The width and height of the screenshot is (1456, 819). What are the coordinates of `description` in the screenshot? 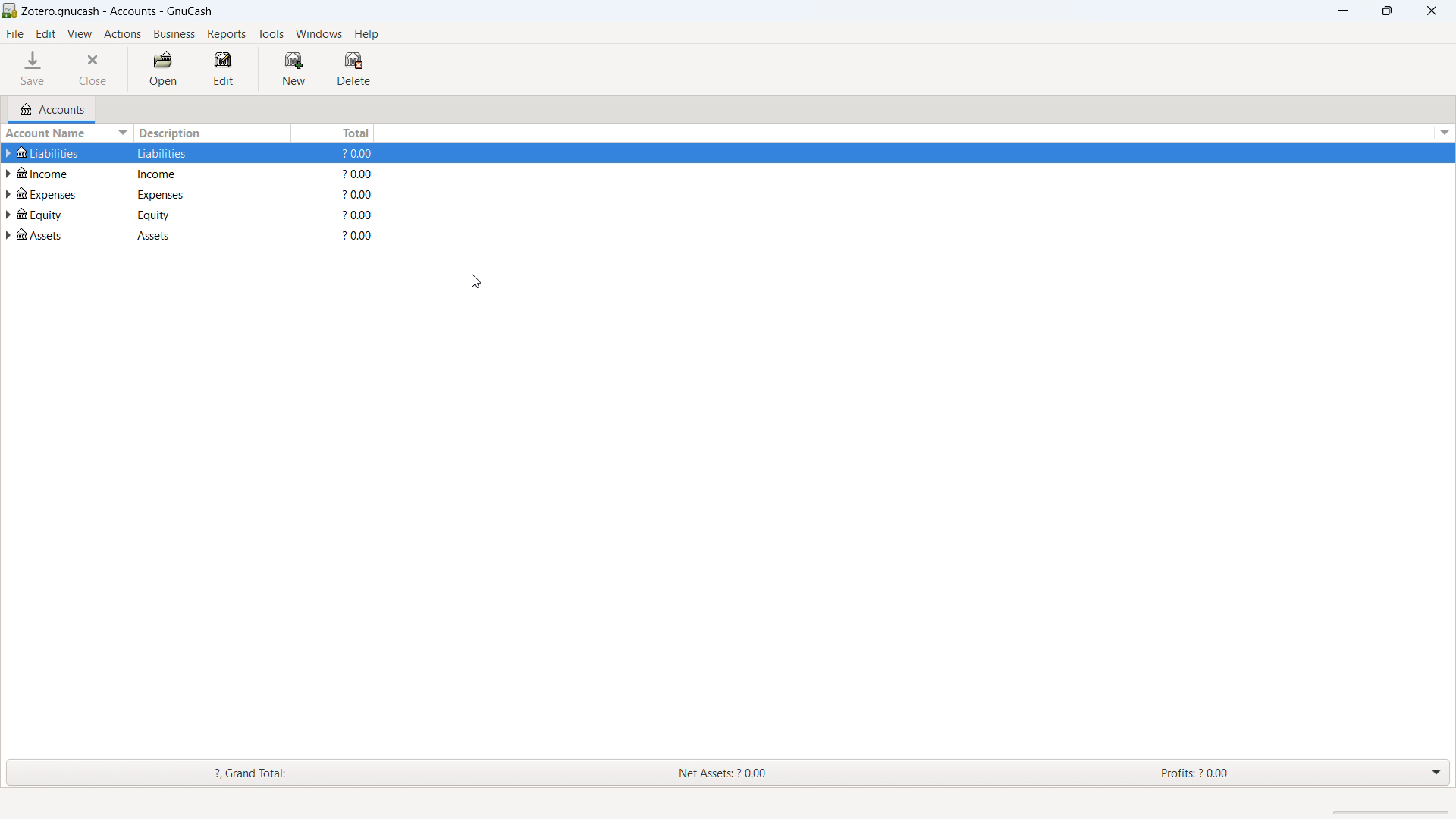 It's located at (212, 133).